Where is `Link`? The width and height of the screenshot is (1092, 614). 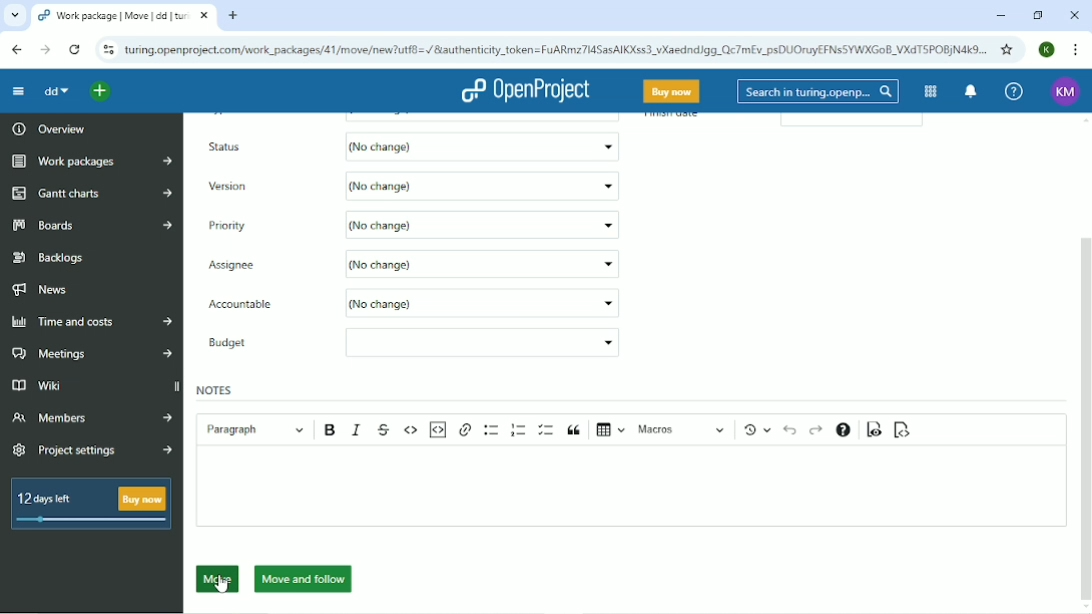
Link is located at coordinates (465, 430).